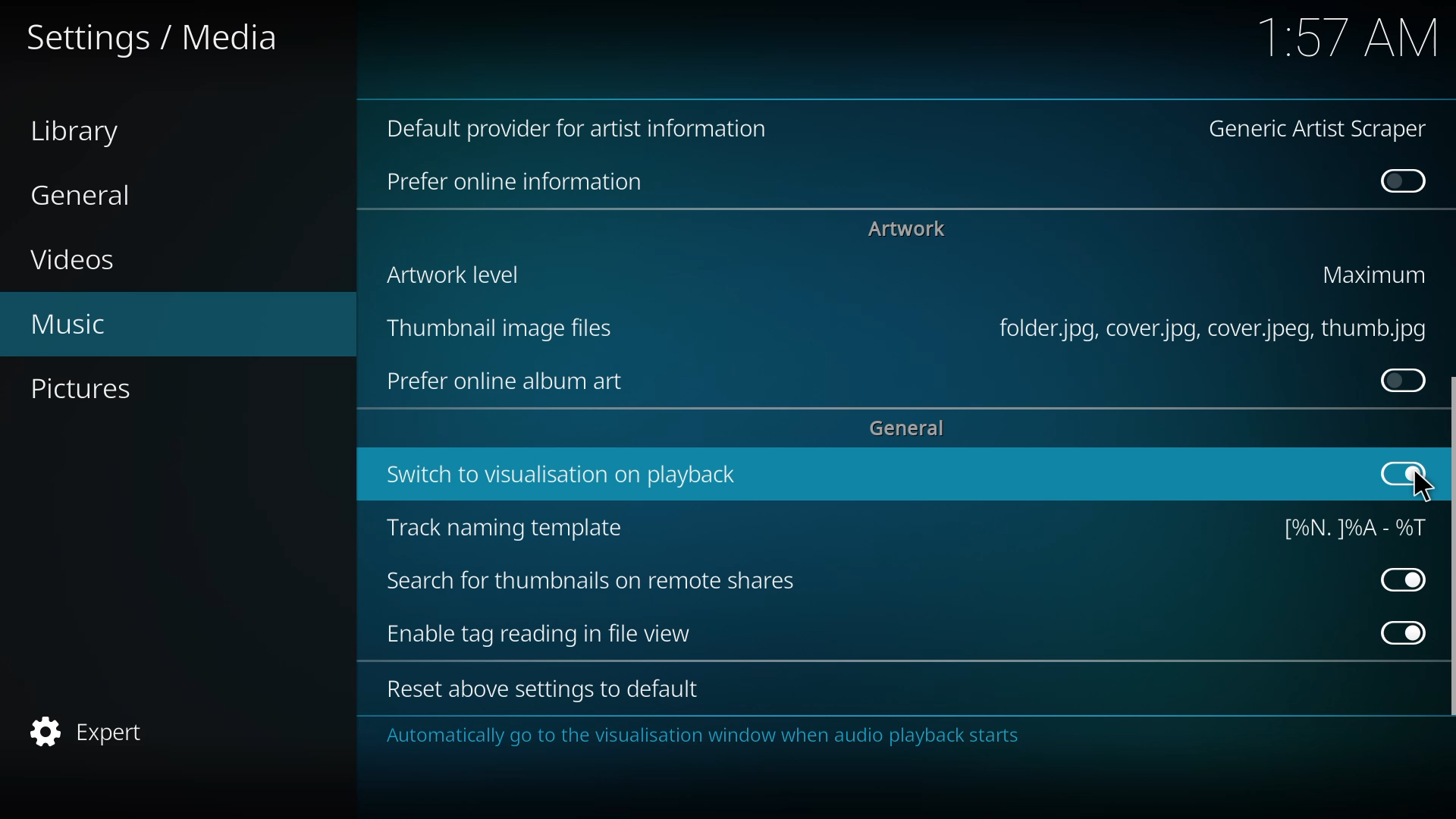  Describe the element at coordinates (587, 129) in the screenshot. I see `default` at that location.